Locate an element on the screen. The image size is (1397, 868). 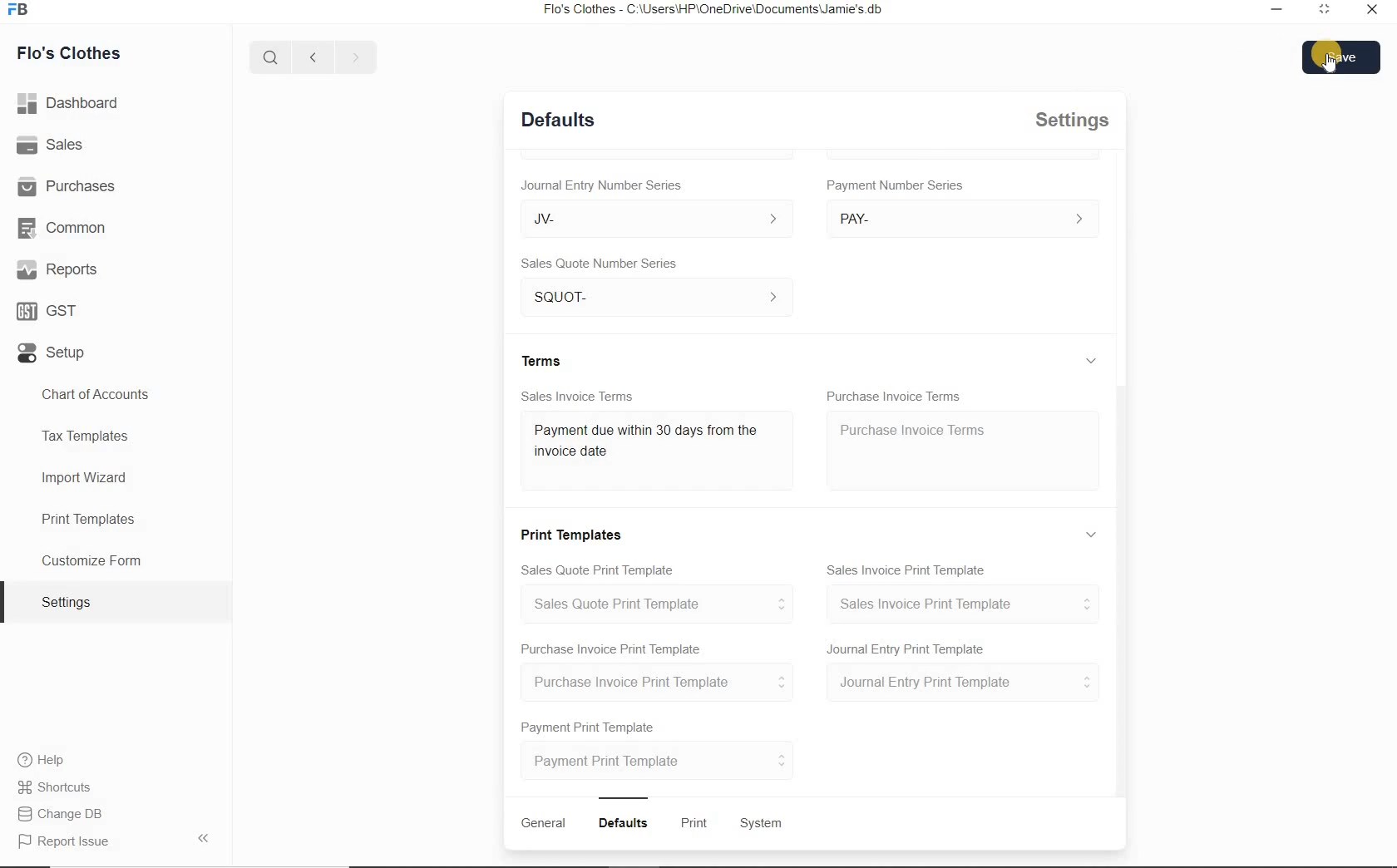
Tax Templates is located at coordinates (115, 439).